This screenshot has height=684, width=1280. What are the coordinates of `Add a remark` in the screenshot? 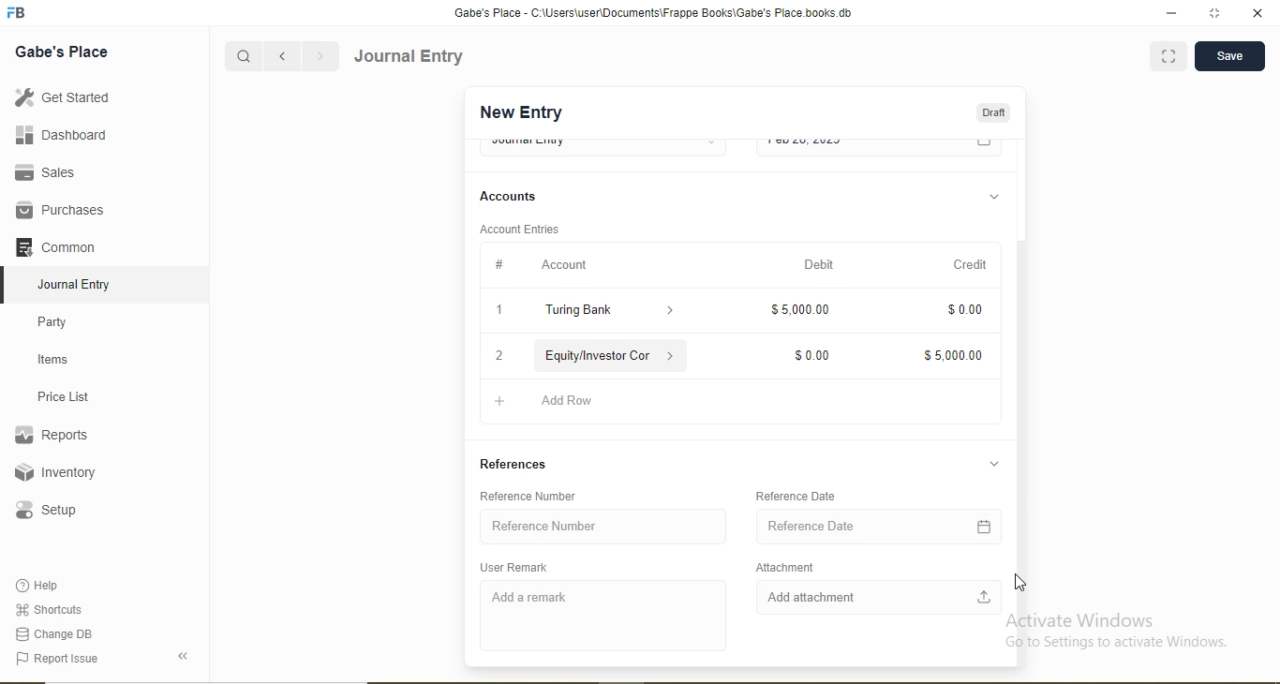 It's located at (530, 598).